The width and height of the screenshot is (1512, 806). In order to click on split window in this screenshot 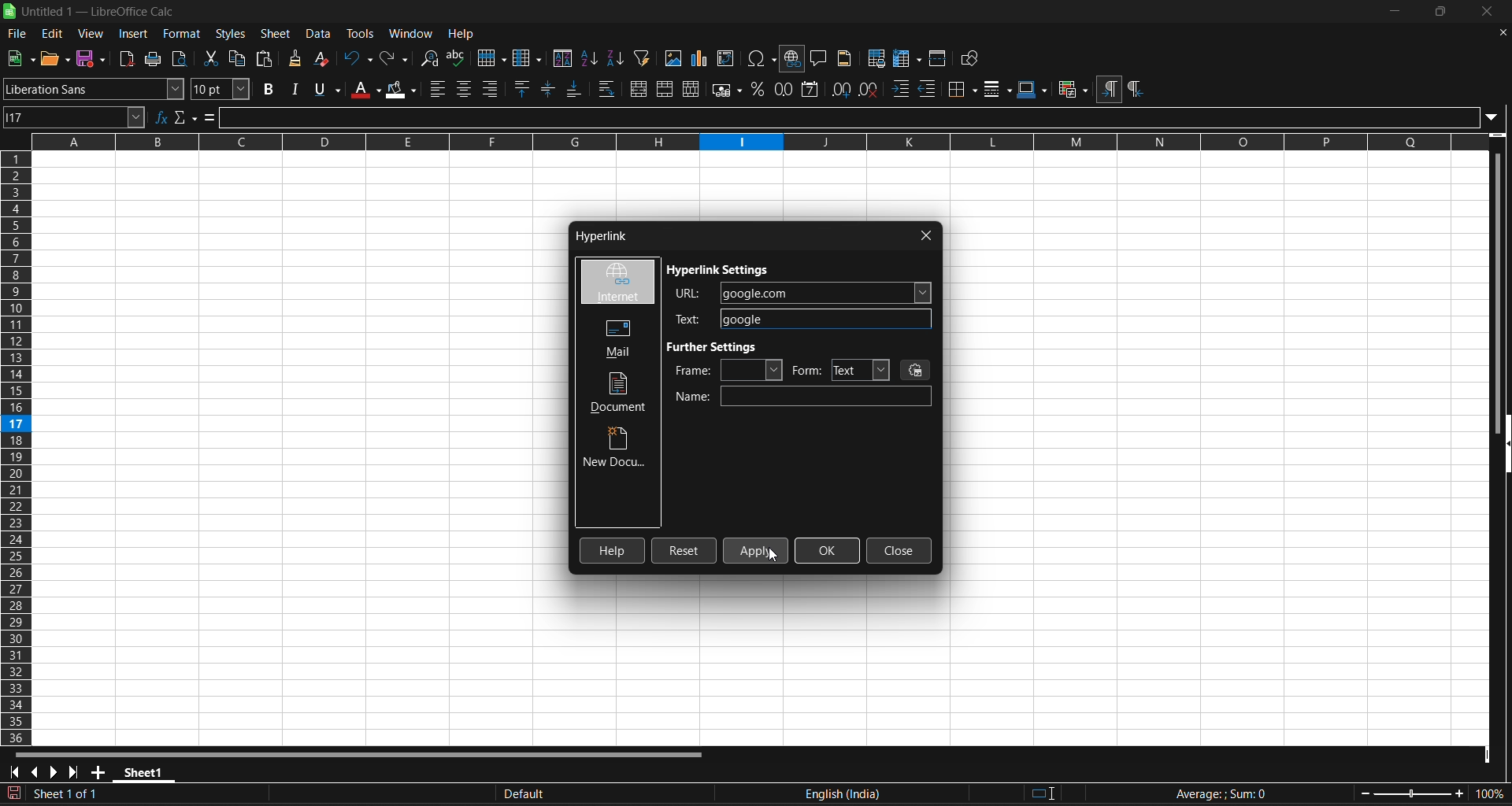, I will do `click(939, 57)`.